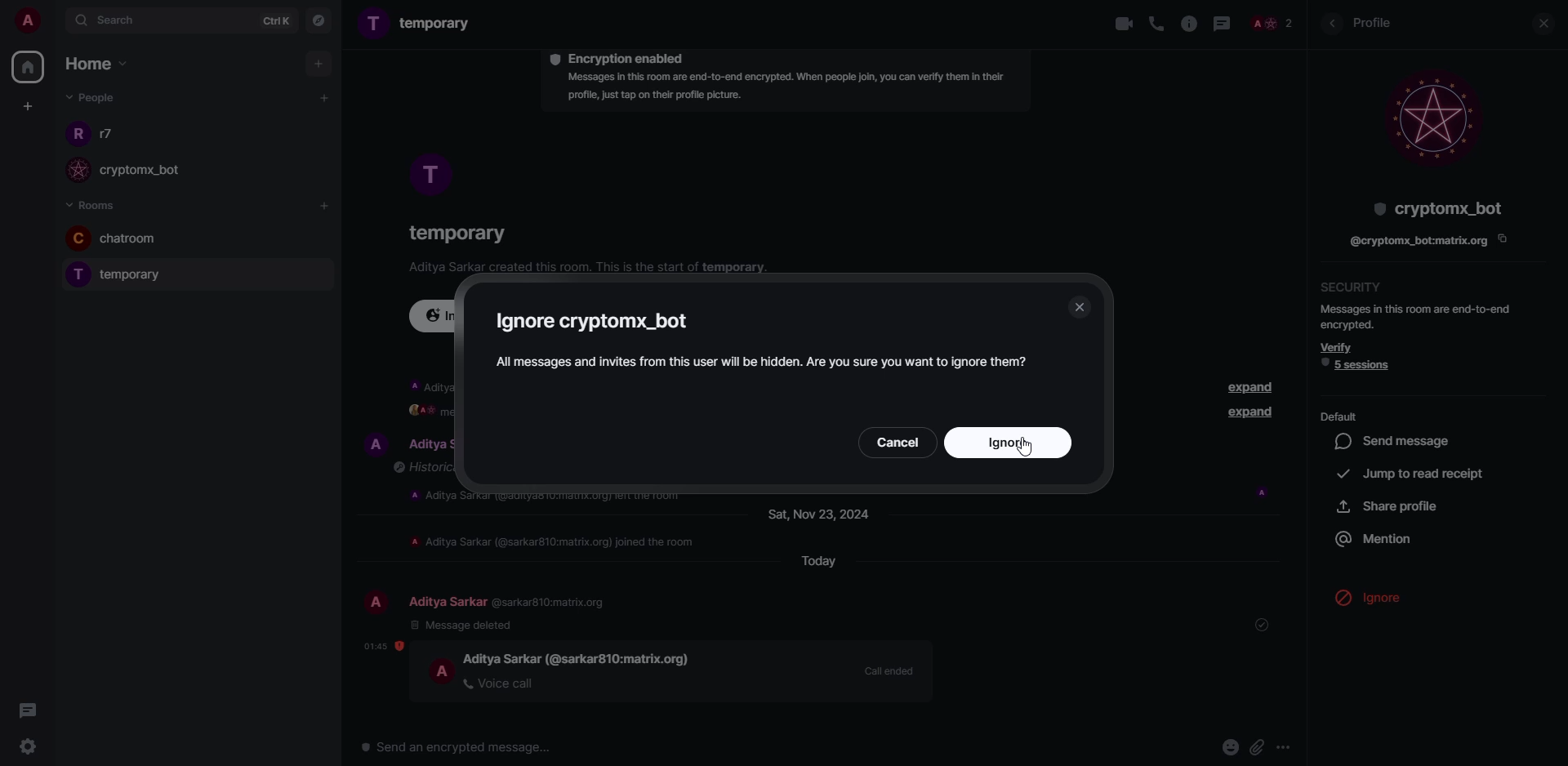 Image resolution: width=1568 pixels, height=766 pixels. Describe the element at coordinates (599, 321) in the screenshot. I see `igore` at that location.